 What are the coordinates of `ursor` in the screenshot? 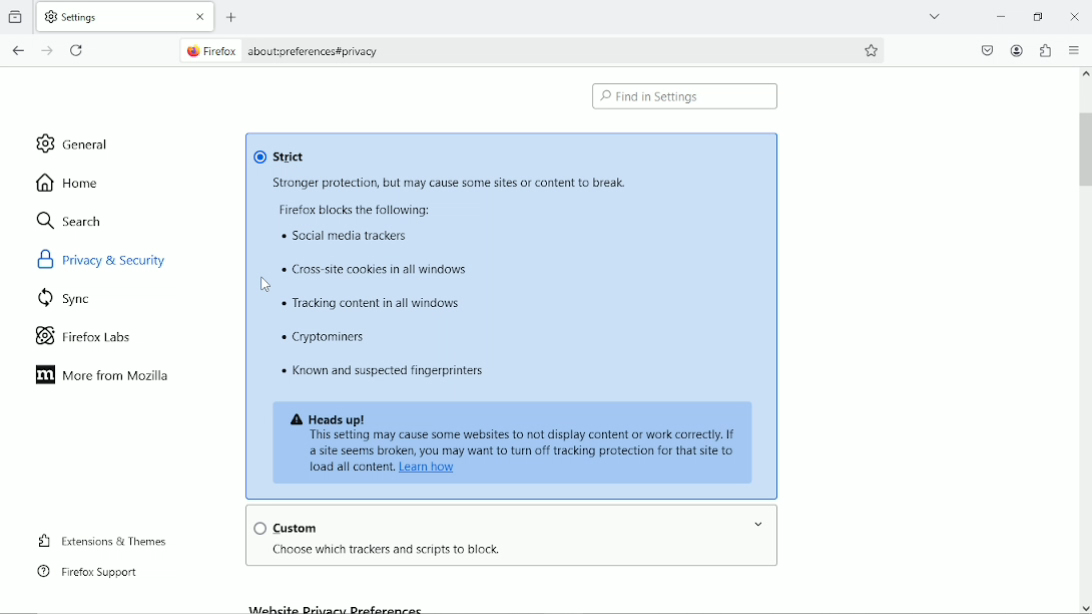 It's located at (265, 286).